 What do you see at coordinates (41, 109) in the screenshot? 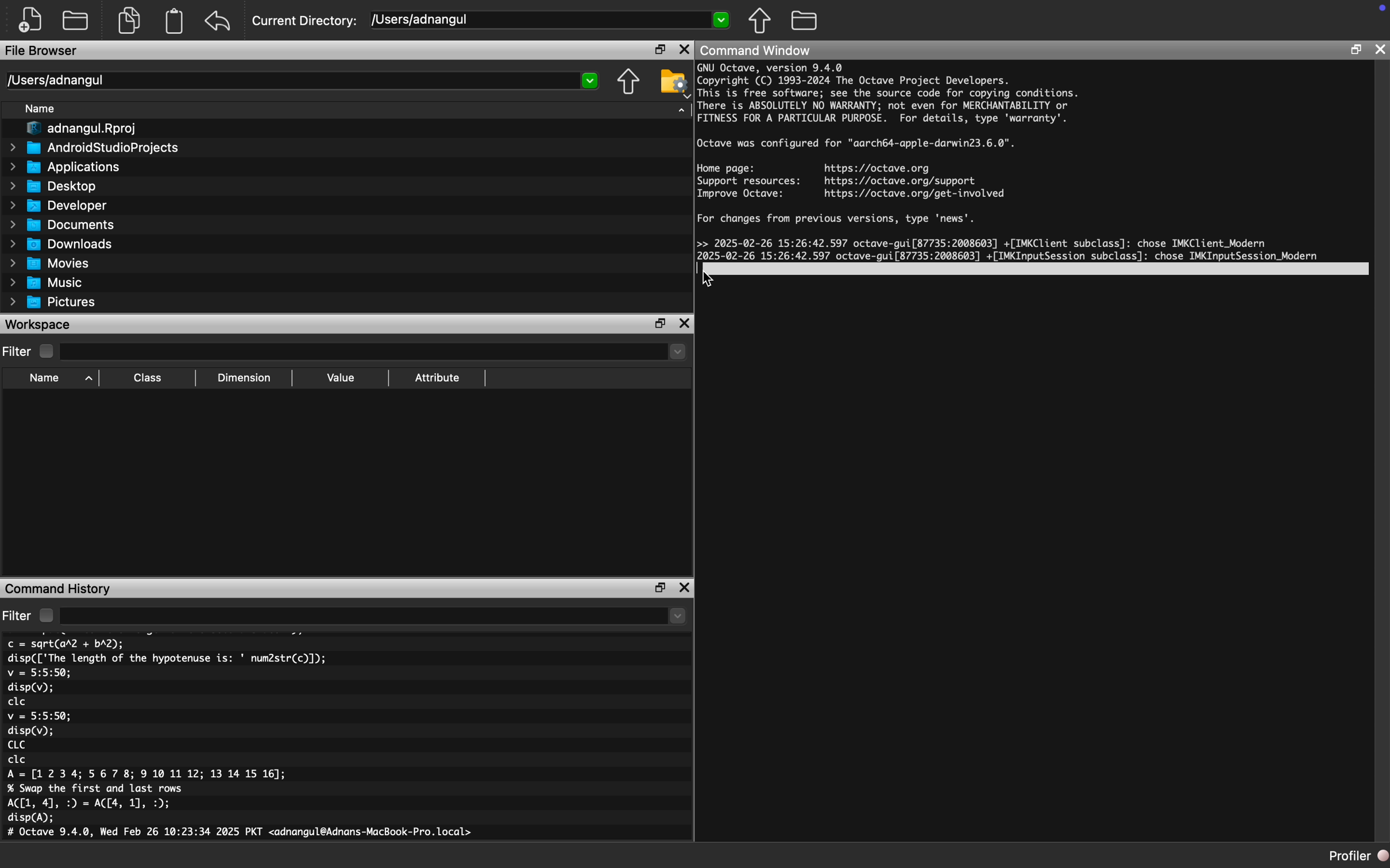
I see `Name` at bounding box center [41, 109].